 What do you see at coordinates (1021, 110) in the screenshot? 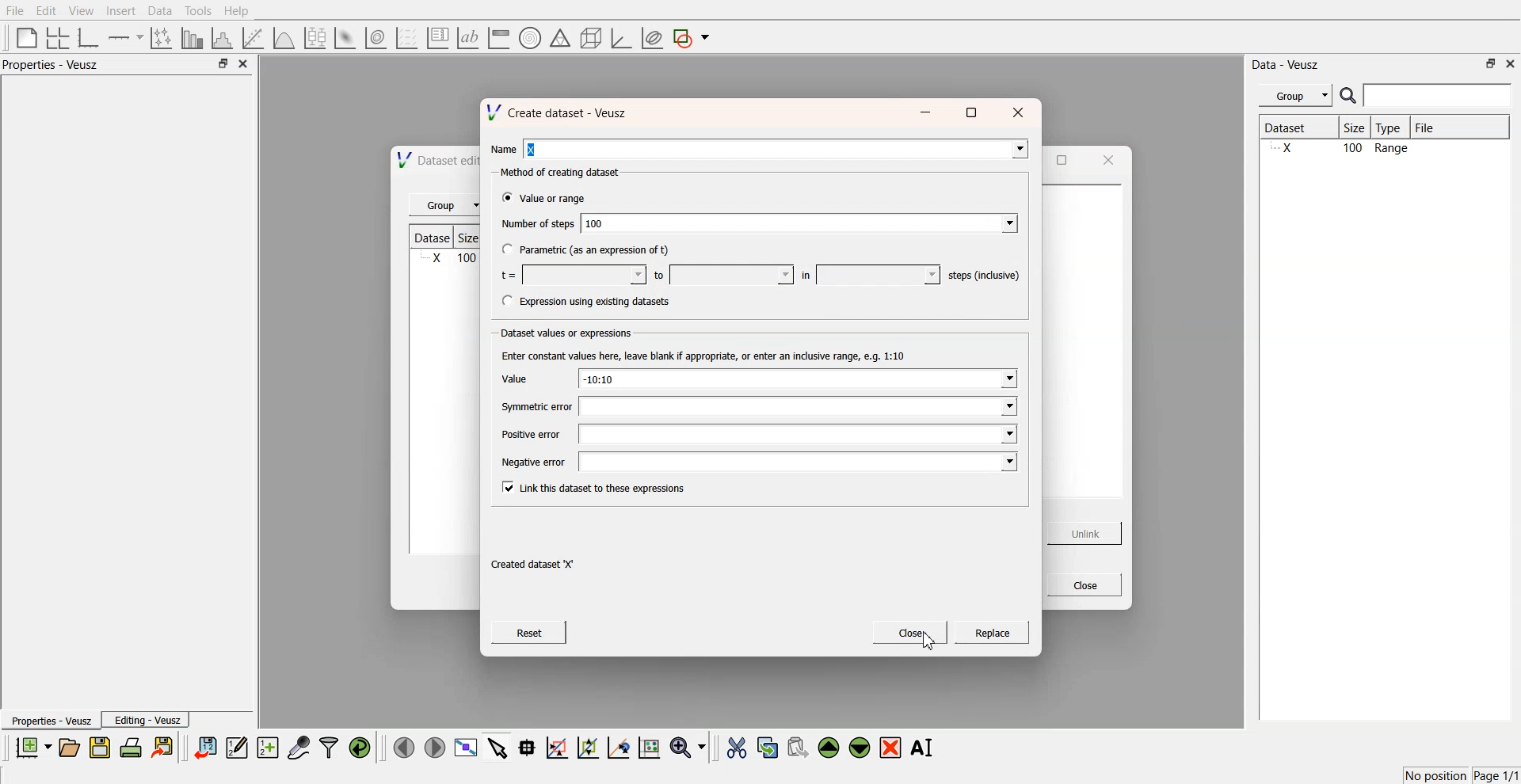
I see `close` at bounding box center [1021, 110].